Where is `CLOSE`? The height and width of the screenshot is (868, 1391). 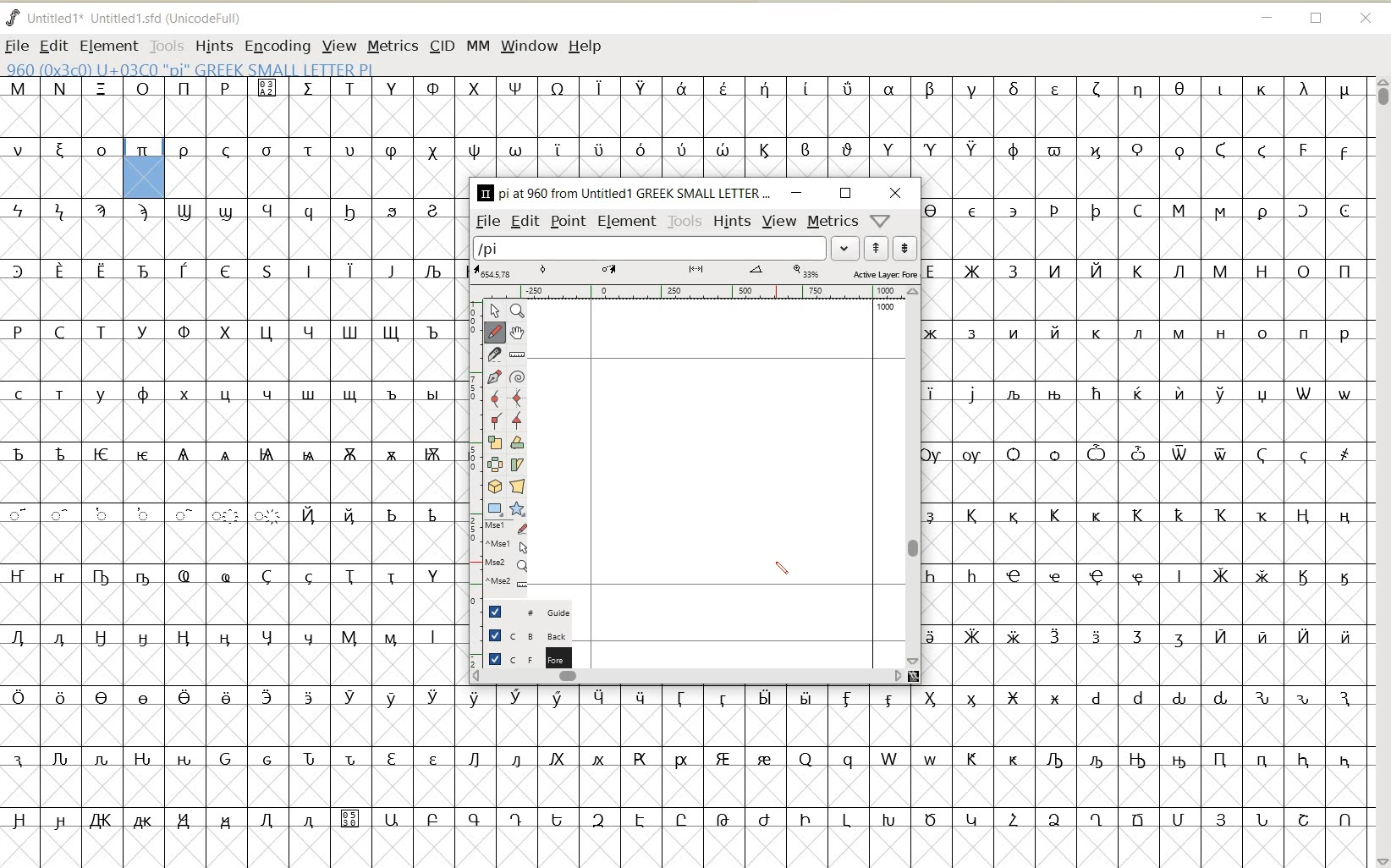
CLOSE is located at coordinates (1369, 19).